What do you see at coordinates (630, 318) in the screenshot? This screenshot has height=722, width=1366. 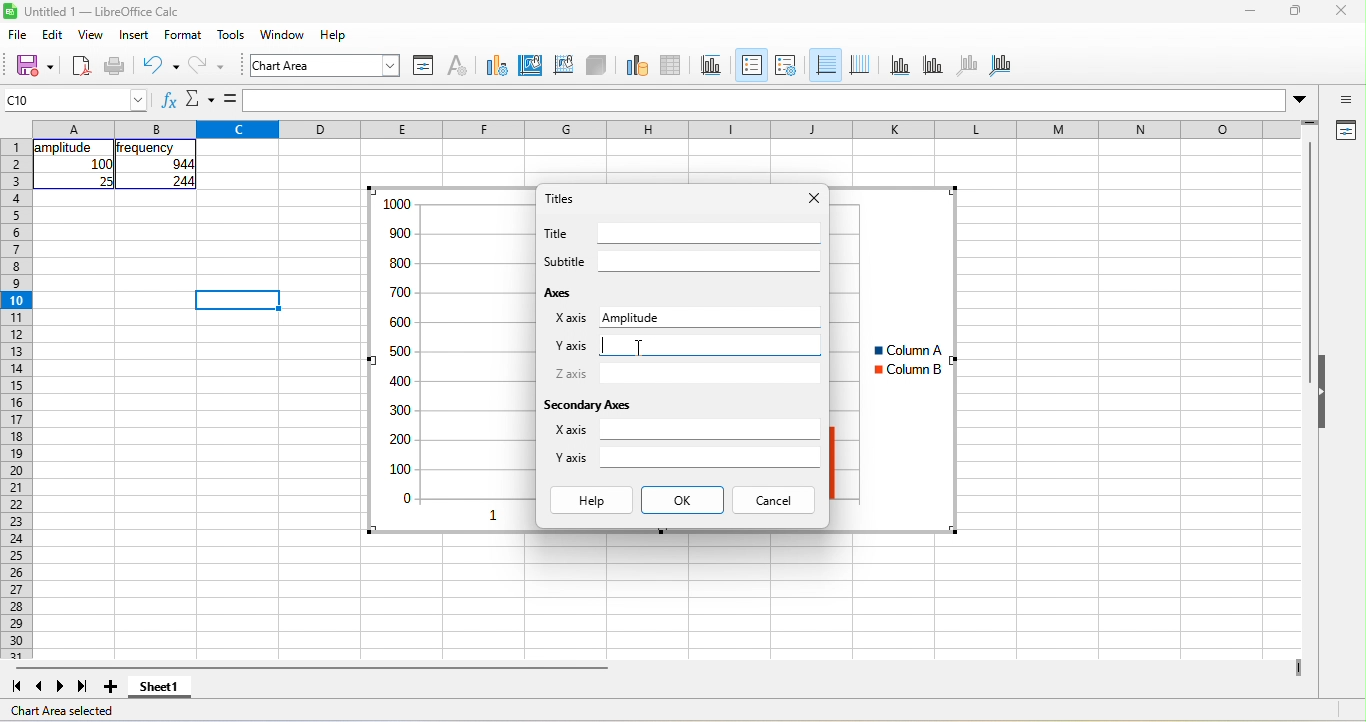 I see `Amplitude` at bounding box center [630, 318].